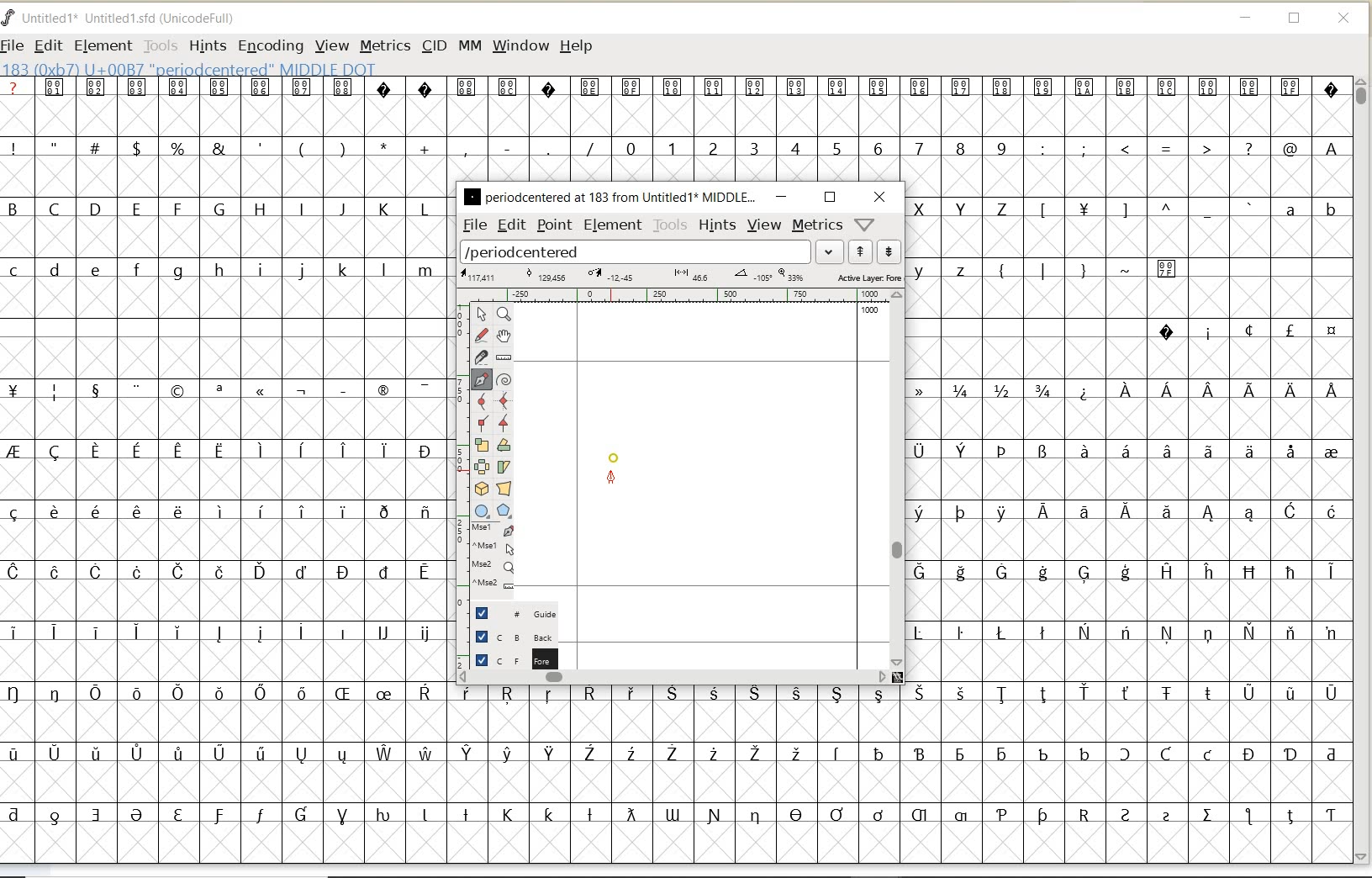  I want to click on special characters, so click(895, 761).